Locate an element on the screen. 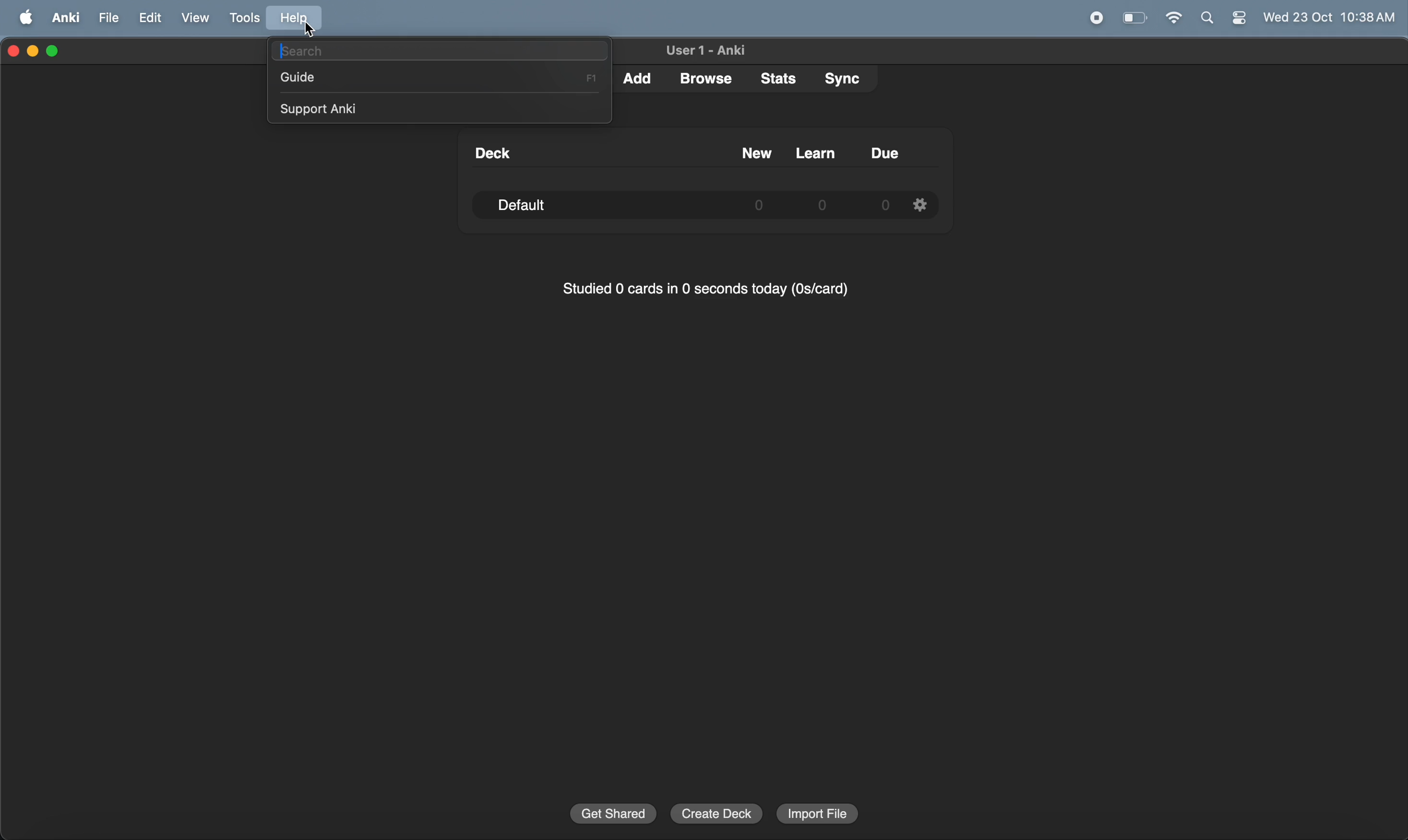 This screenshot has width=1408, height=840. import file is located at coordinates (818, 813).